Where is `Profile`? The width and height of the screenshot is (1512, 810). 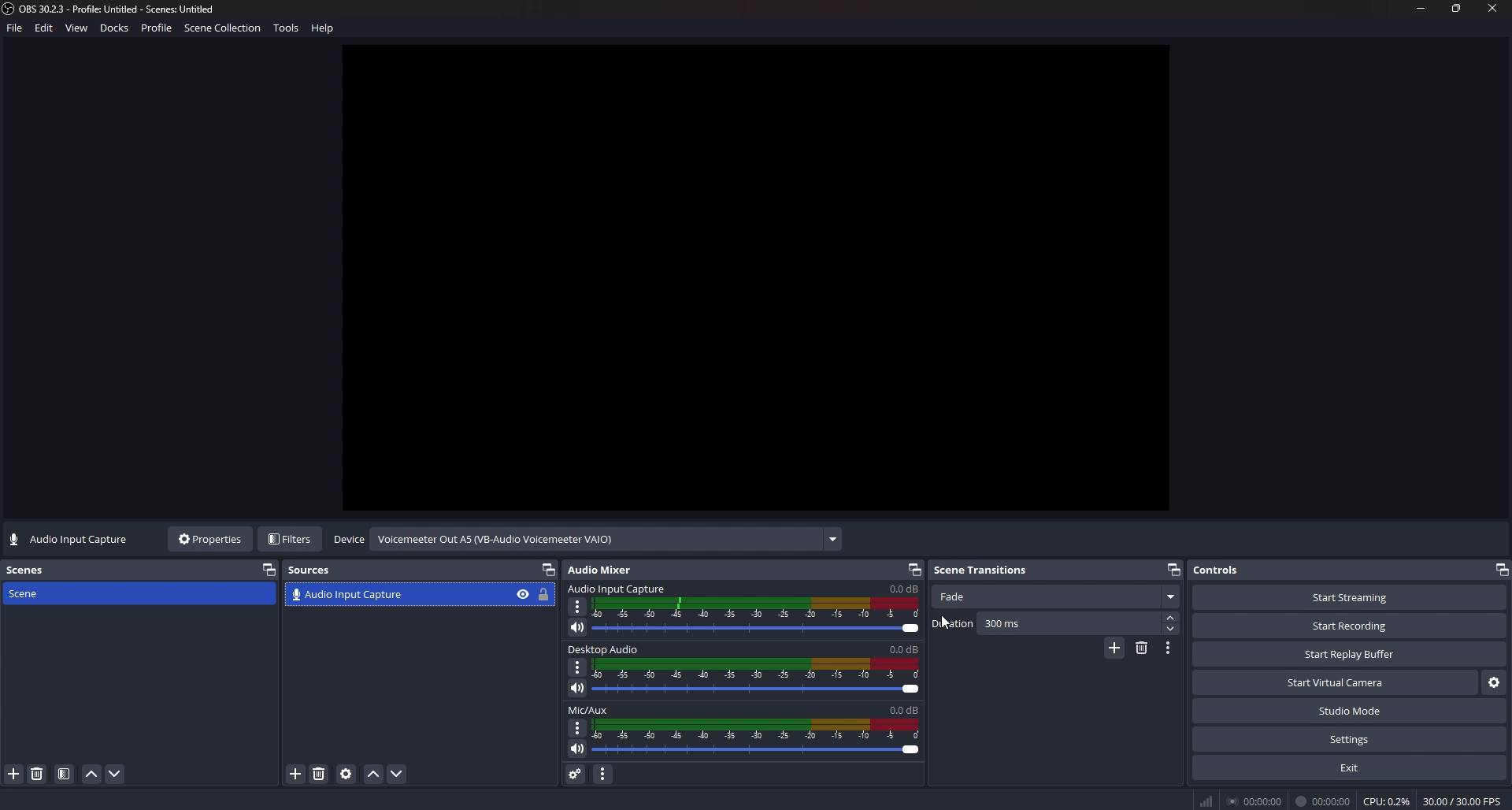
Profile is located at coordinates (157, 29).